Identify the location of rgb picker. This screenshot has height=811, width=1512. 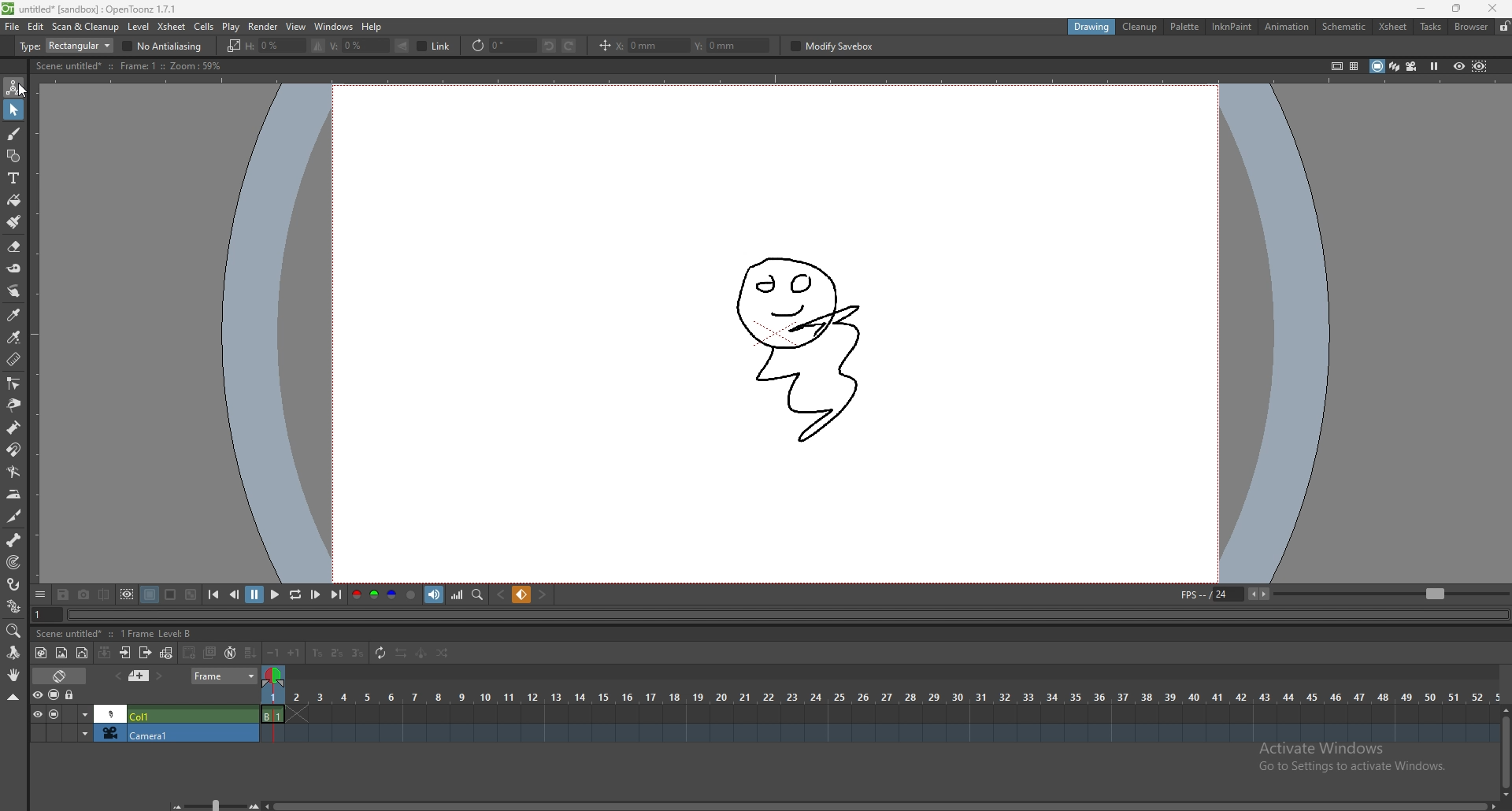
(13, 337).